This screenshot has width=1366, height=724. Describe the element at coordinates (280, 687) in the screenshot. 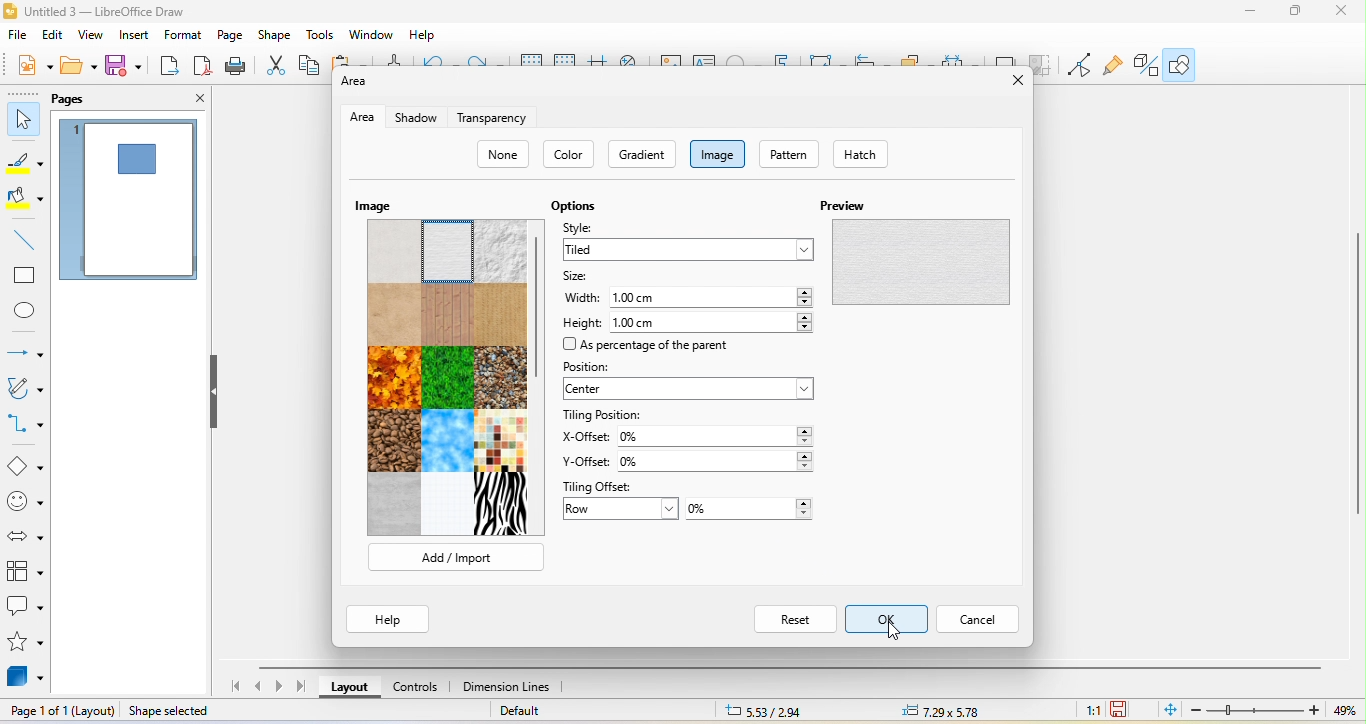

I see `next page` at that location.